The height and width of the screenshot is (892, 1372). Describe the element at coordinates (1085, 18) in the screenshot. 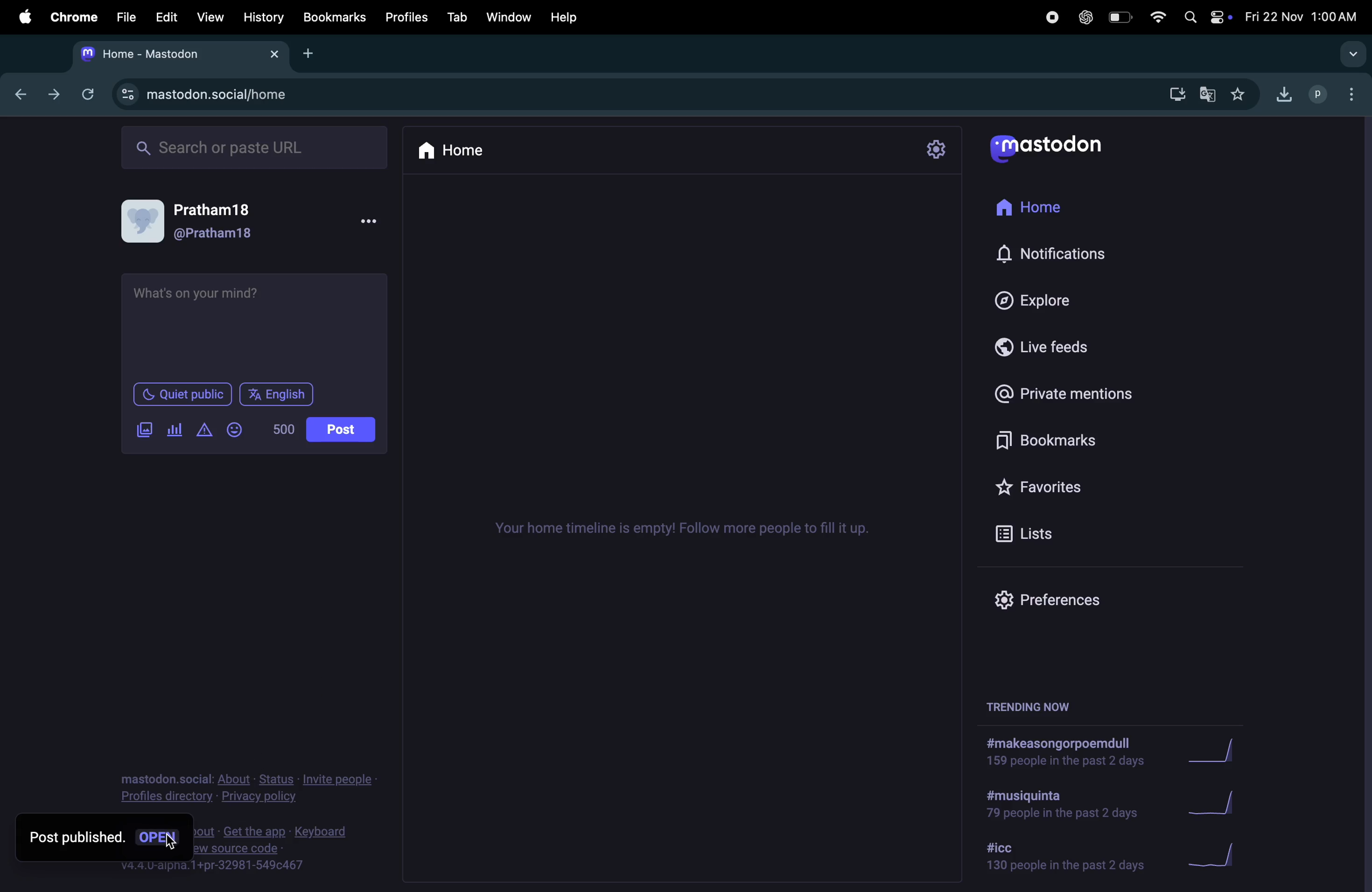

I see `chatgpt` at that location.